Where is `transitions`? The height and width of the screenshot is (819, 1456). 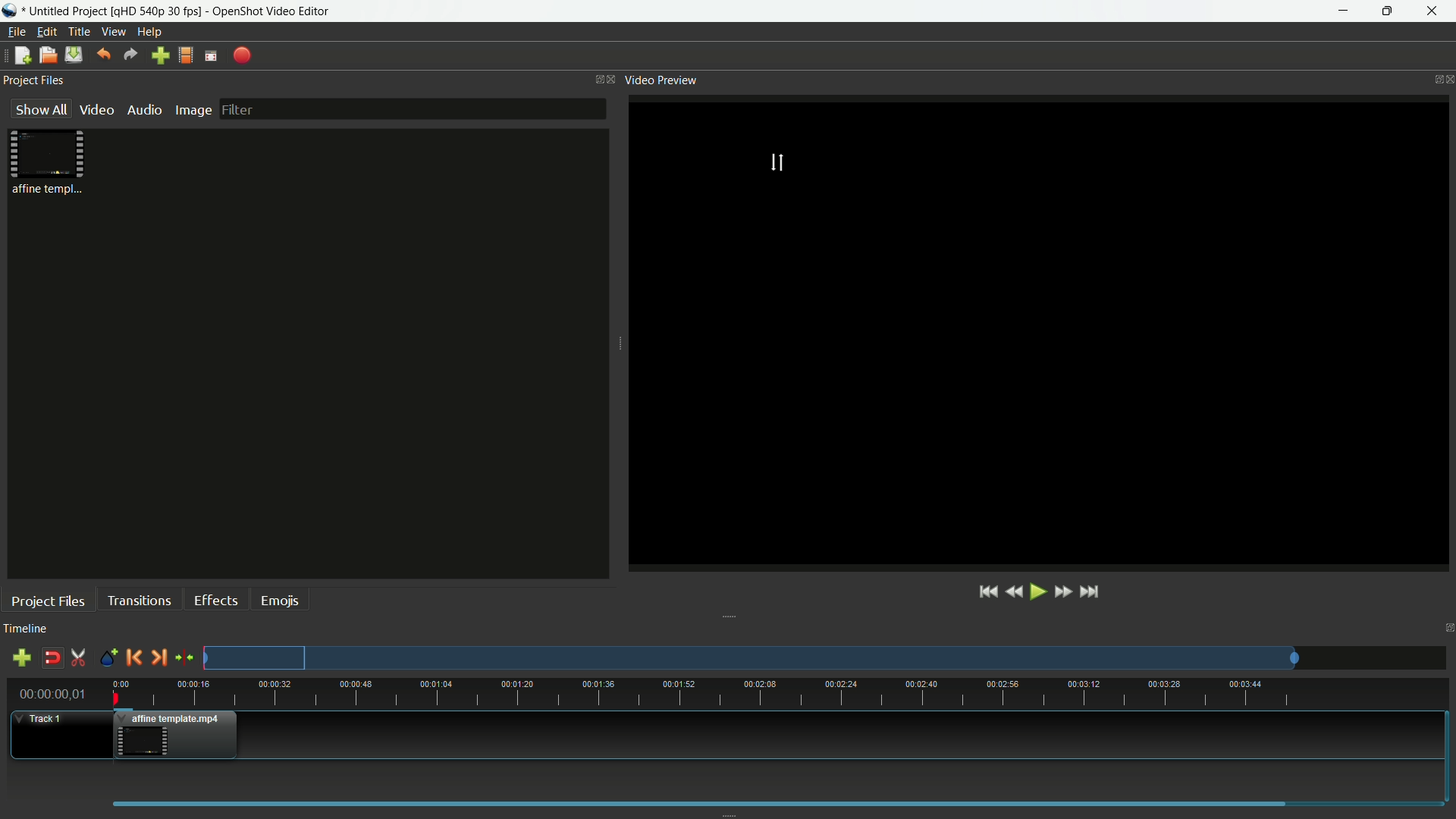
transitions is located at coordinates (138, 601).